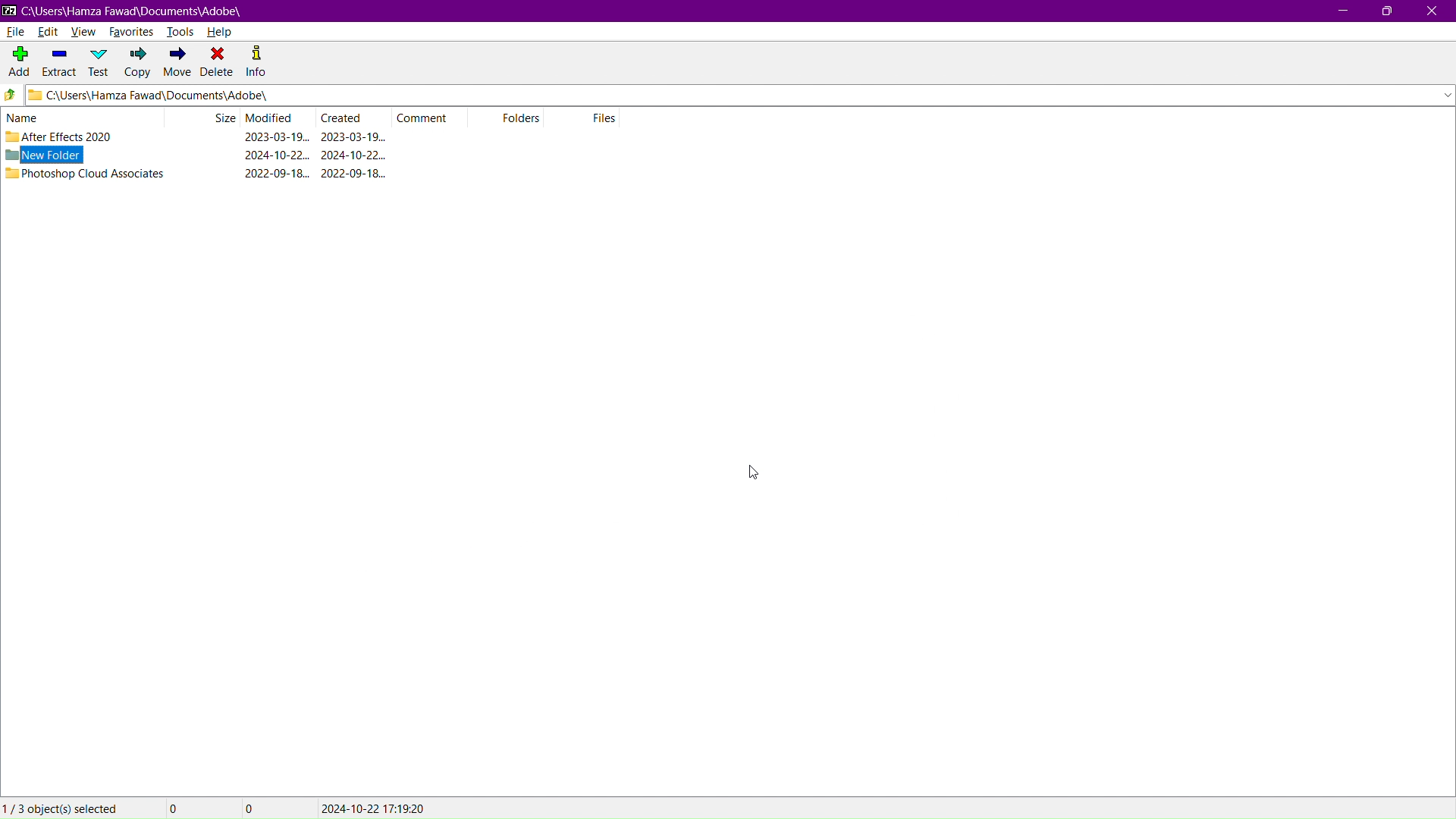  What do you see at coordinates (83, 30) in the screenshot?
I see `View` at bounding box center [83, 30].